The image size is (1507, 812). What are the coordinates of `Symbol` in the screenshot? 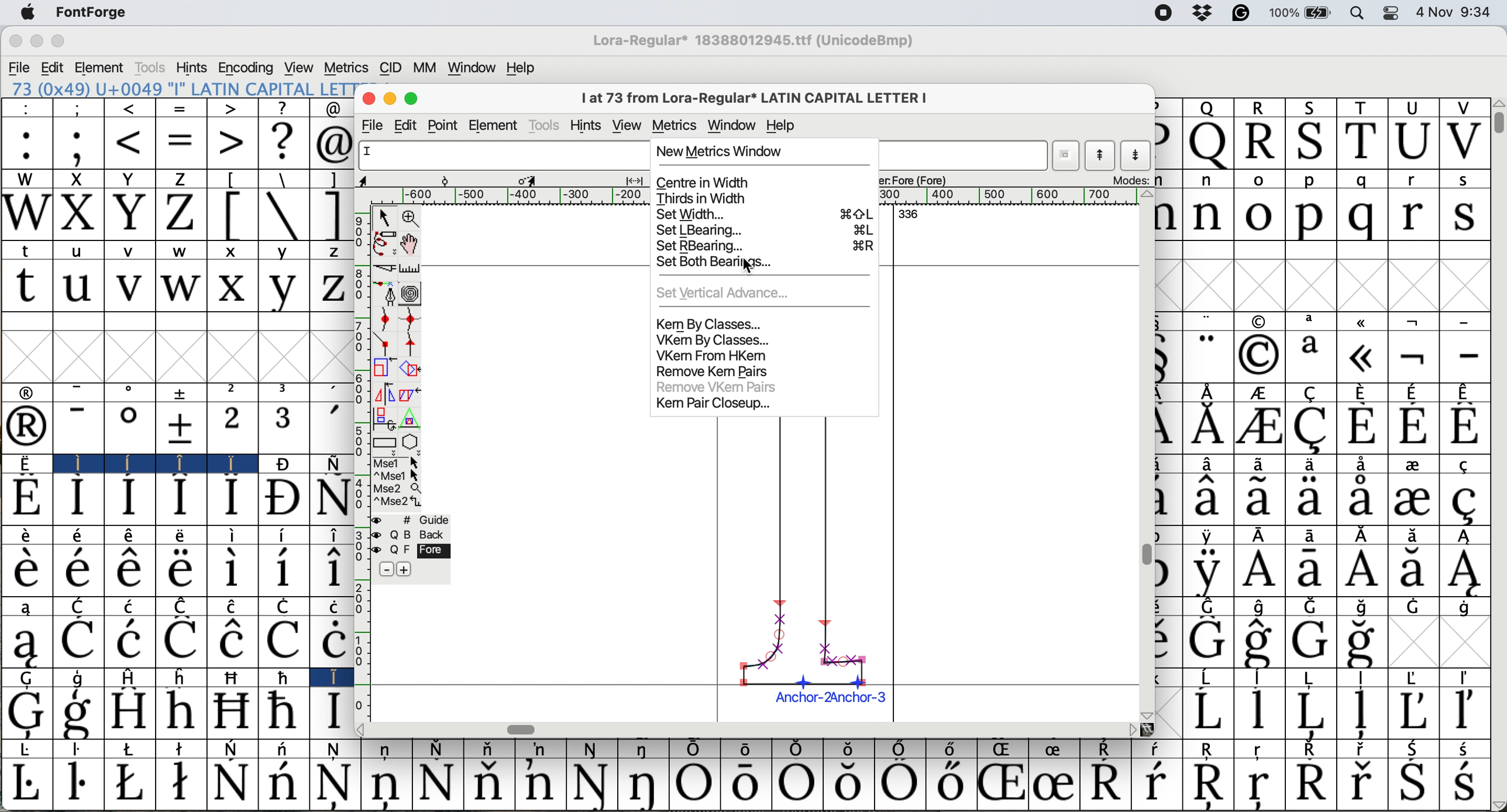 It's located at (232, 571).